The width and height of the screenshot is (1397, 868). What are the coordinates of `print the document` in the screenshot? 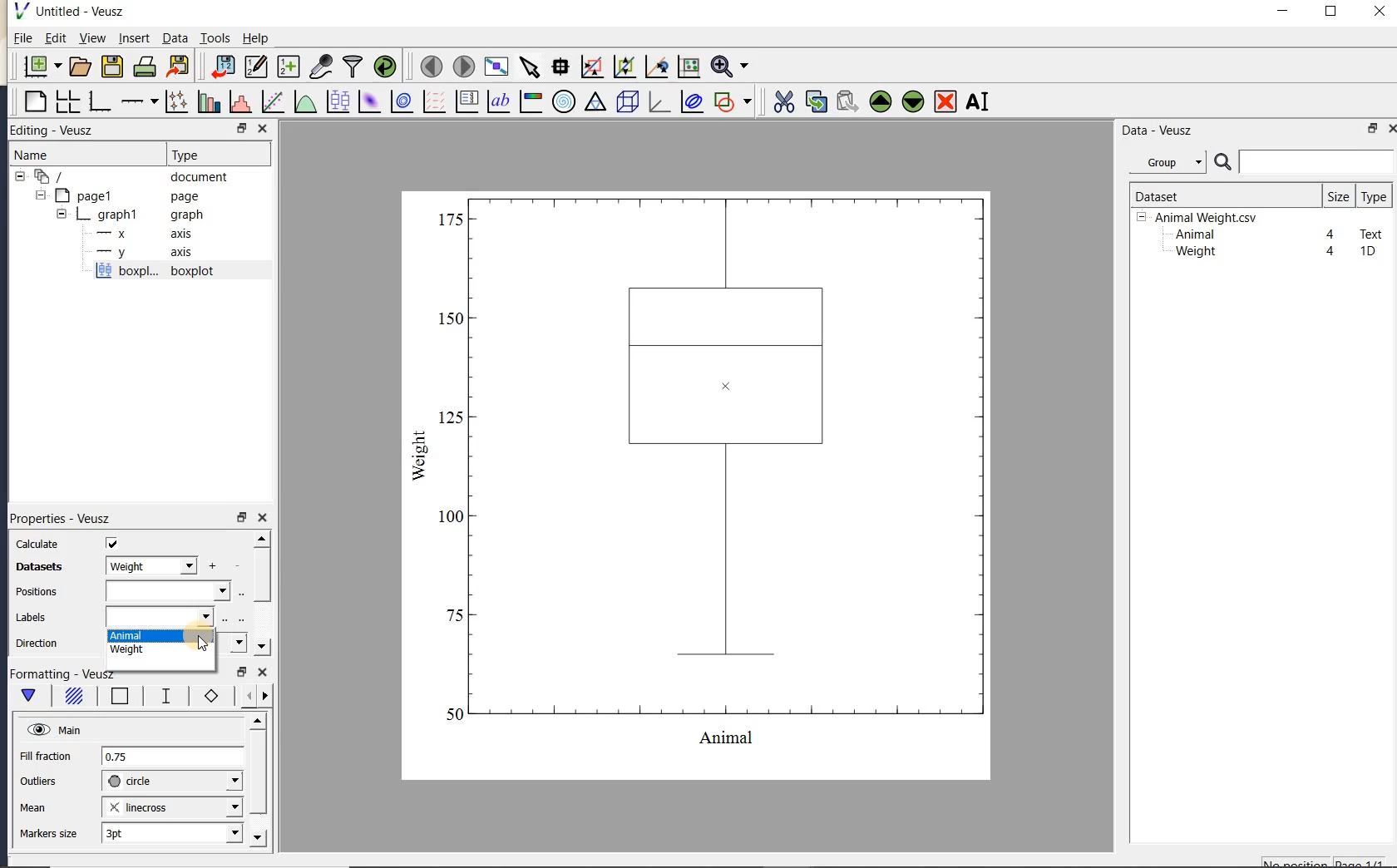 It's located at (145, 67).